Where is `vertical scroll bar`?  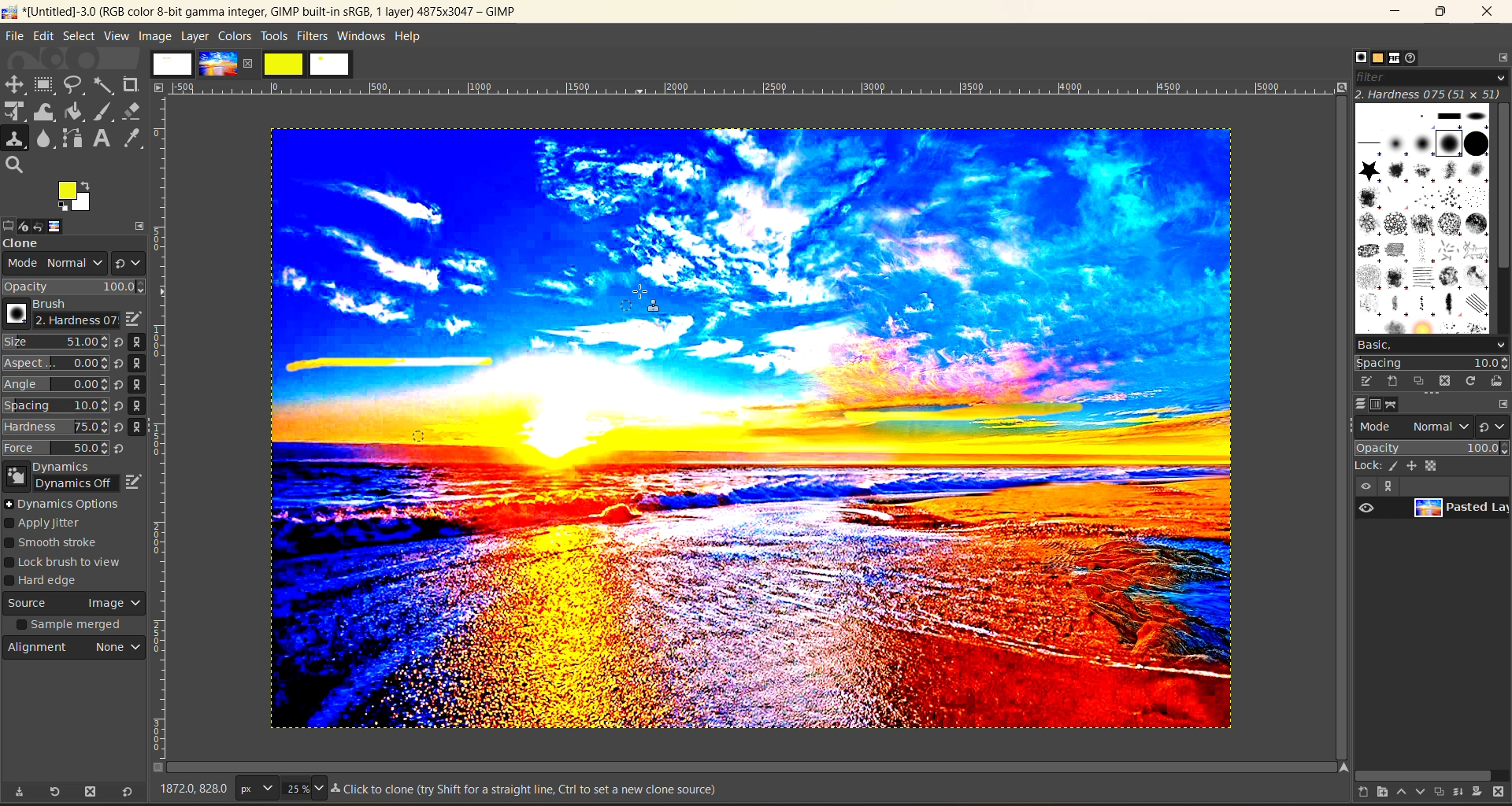 vertical scroll bar is located at coordinates (1503, 188).